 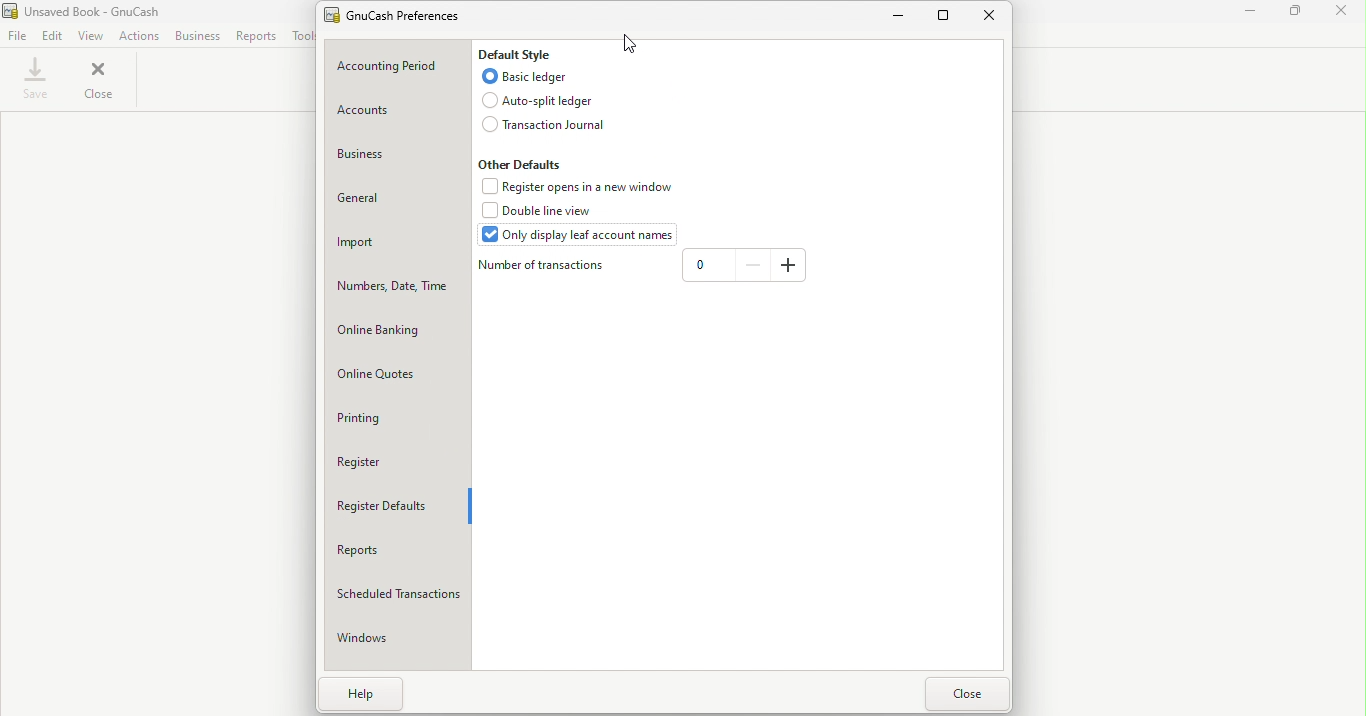 I want to click on Scheduled transactions, so click(x=398, y=592).